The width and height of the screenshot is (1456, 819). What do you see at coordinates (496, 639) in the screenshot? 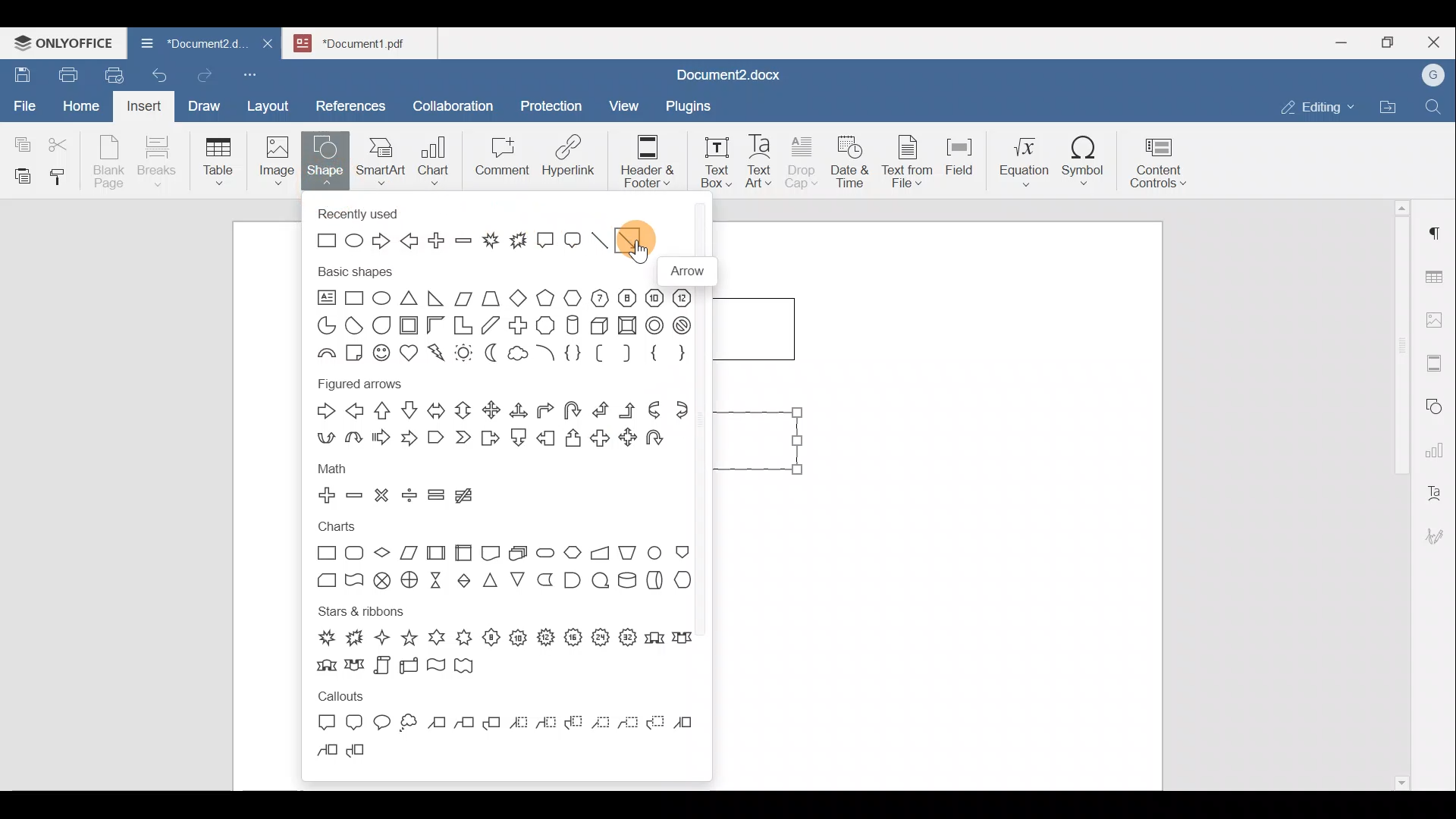
I see `Stars & ribbons` at bounding box center [496, 639].